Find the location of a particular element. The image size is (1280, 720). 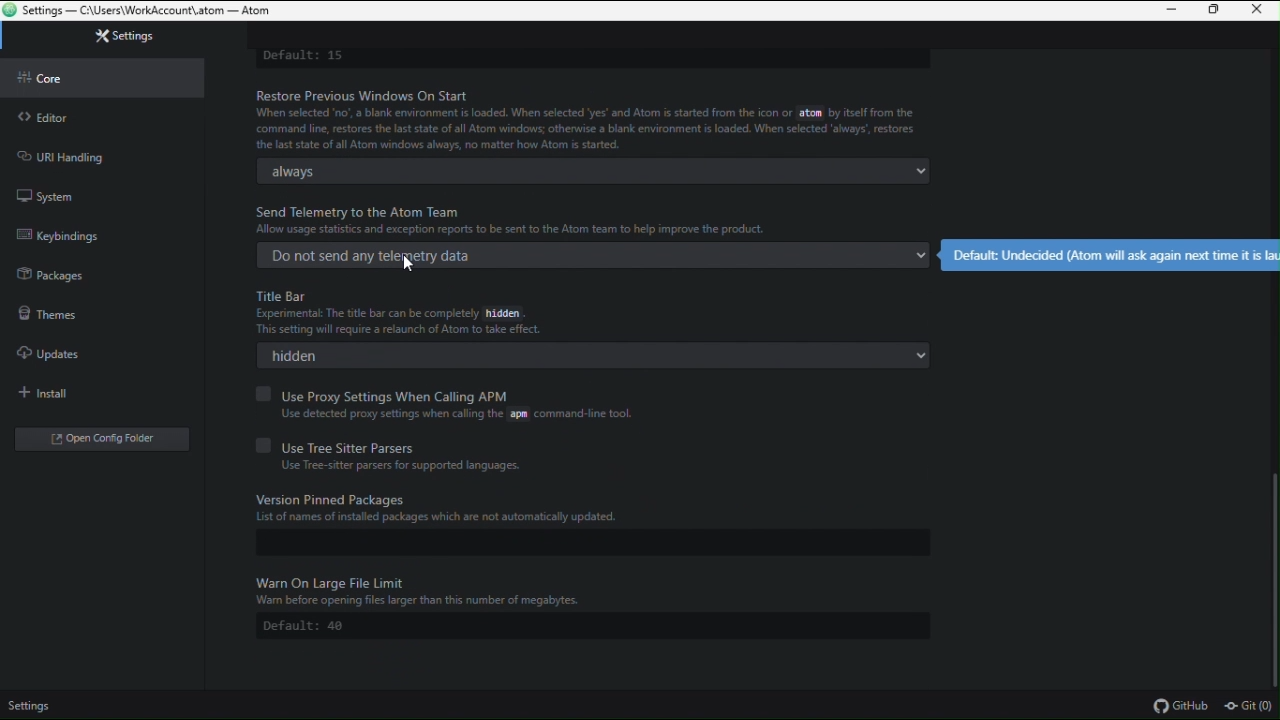

restore is located at coordinates (1217, 11).